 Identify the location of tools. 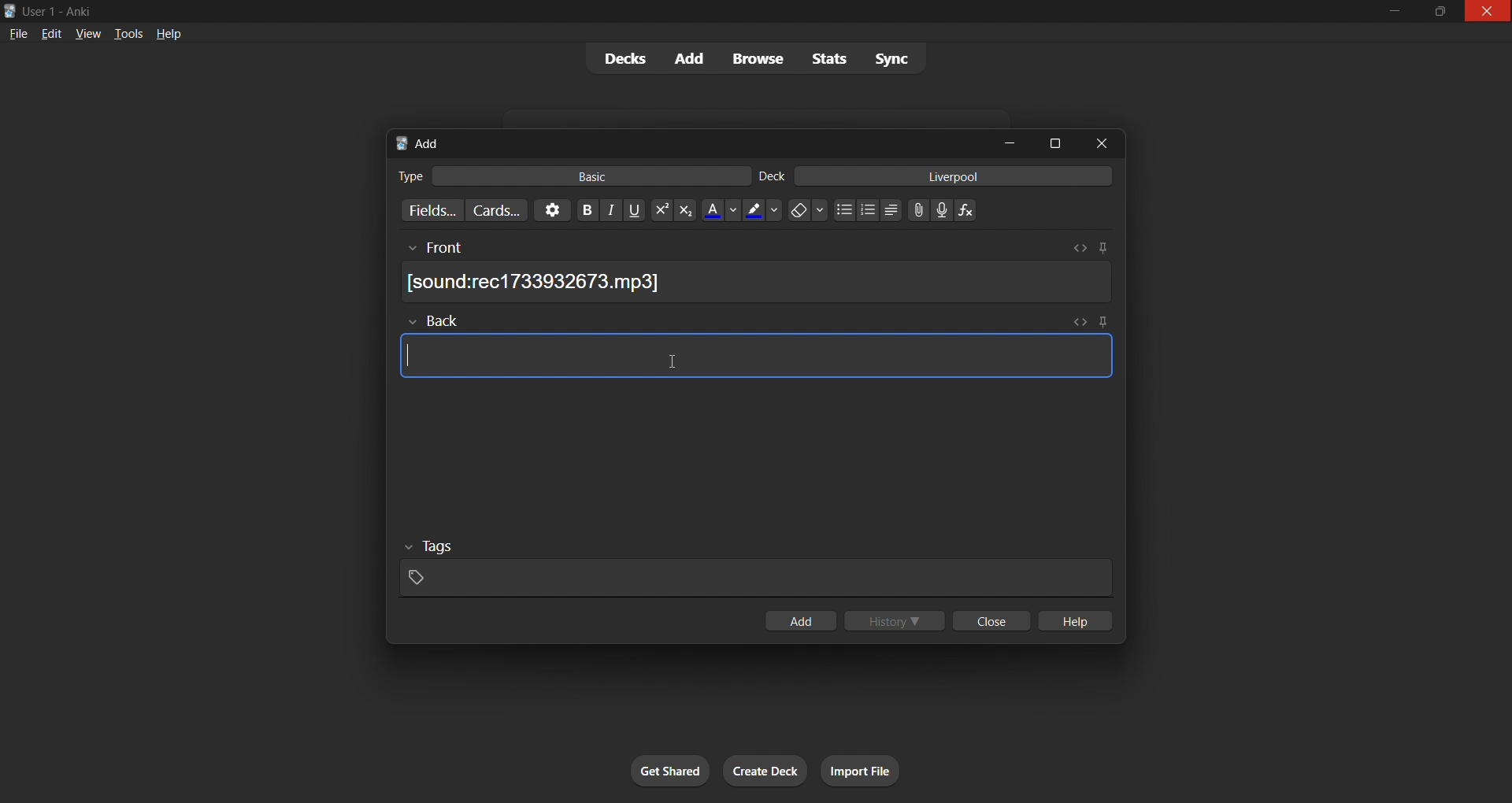
(128, 35).